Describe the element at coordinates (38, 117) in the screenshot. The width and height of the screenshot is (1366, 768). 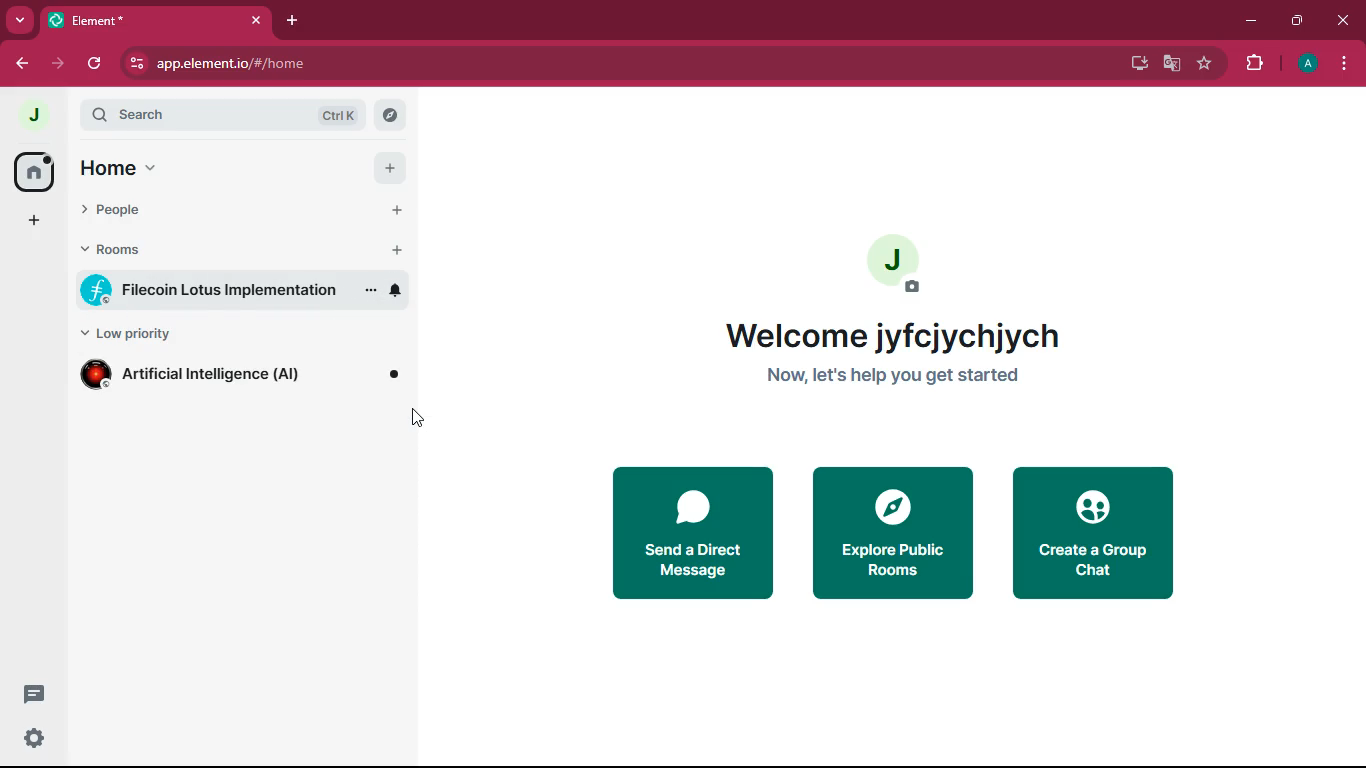
I see `profile picture` at that location.